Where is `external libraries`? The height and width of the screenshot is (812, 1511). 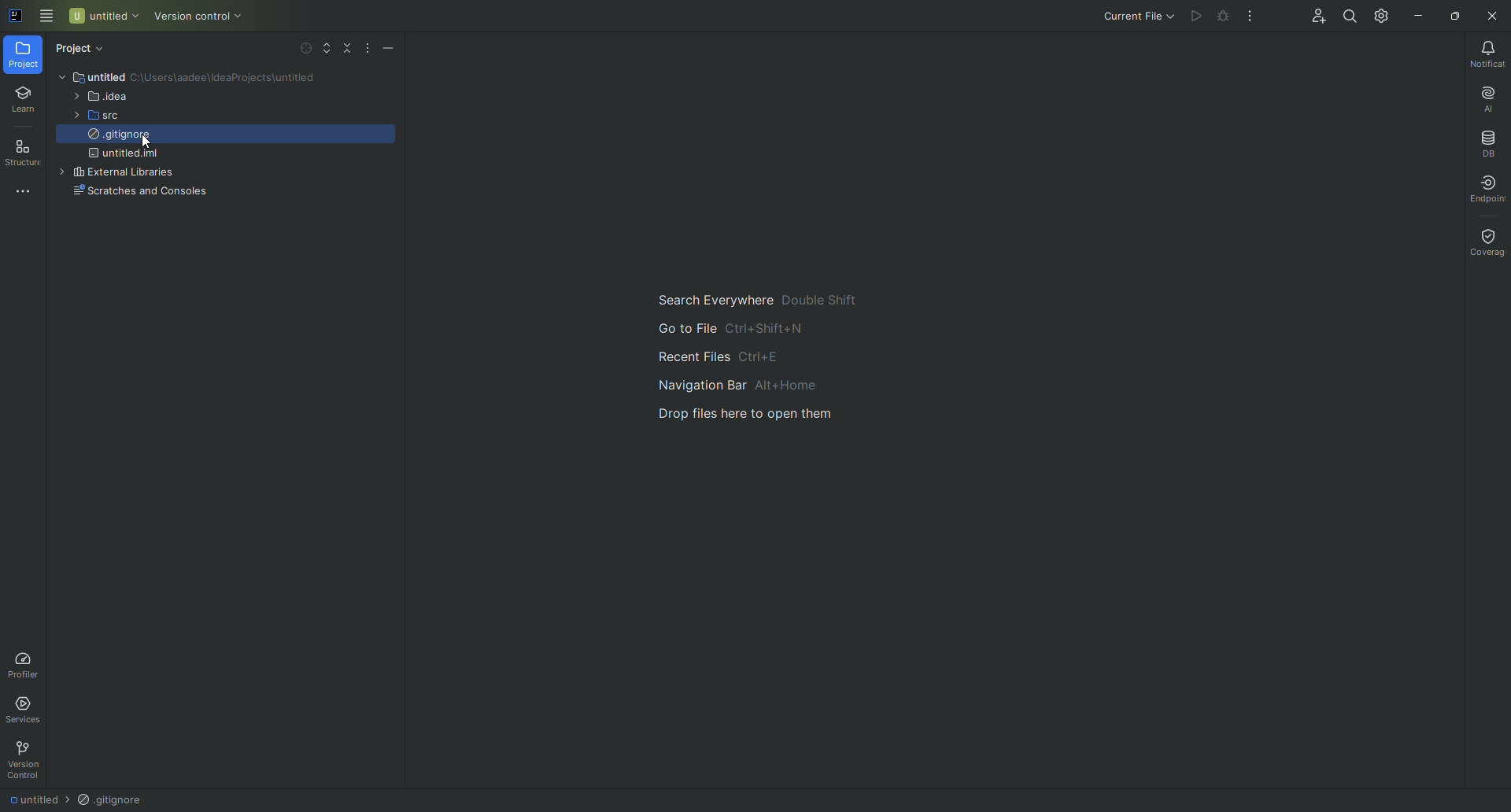 external libraries is located at coordinates (131, 174).